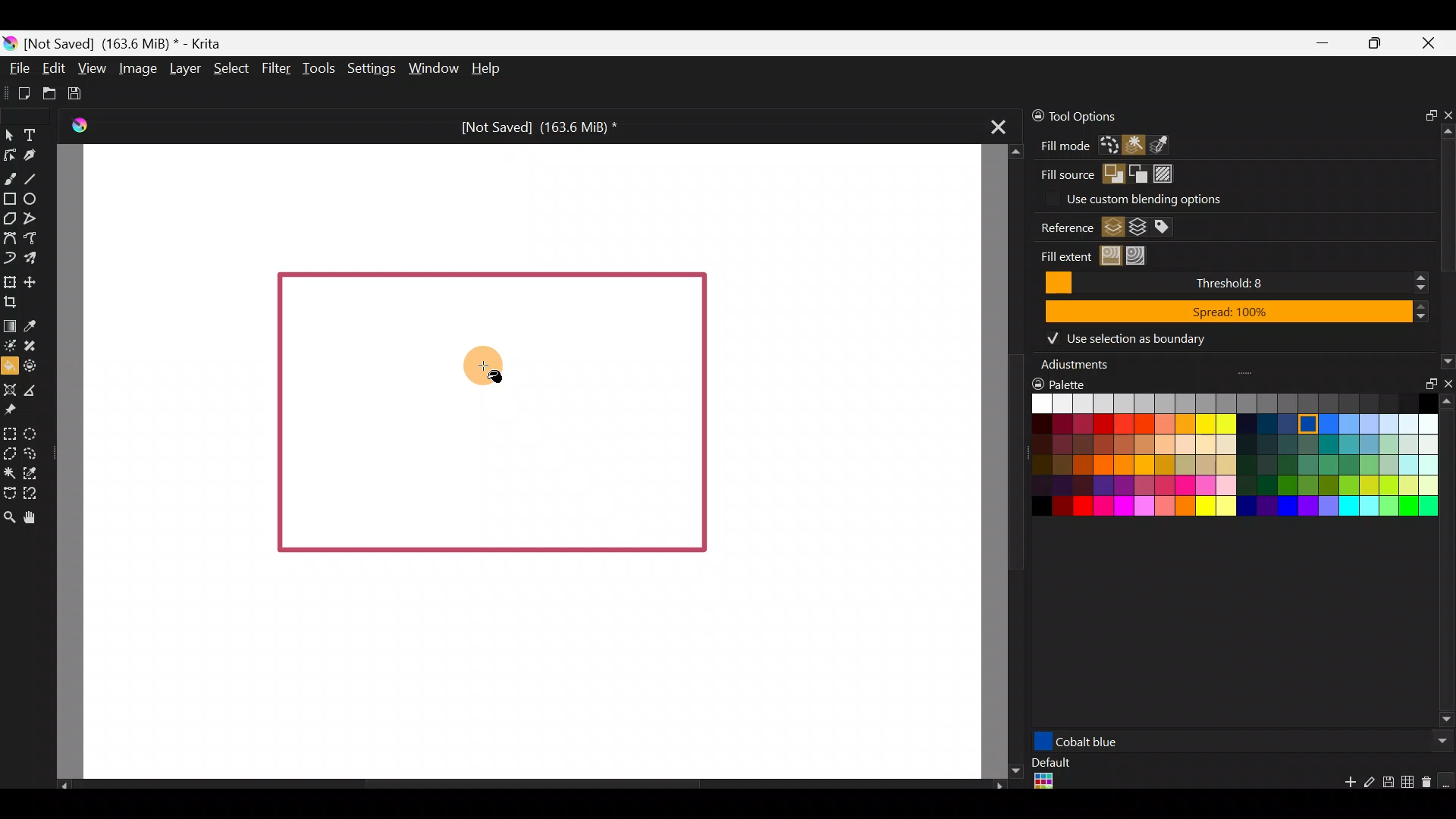  I want to click on Text tool, so click(31, 133).